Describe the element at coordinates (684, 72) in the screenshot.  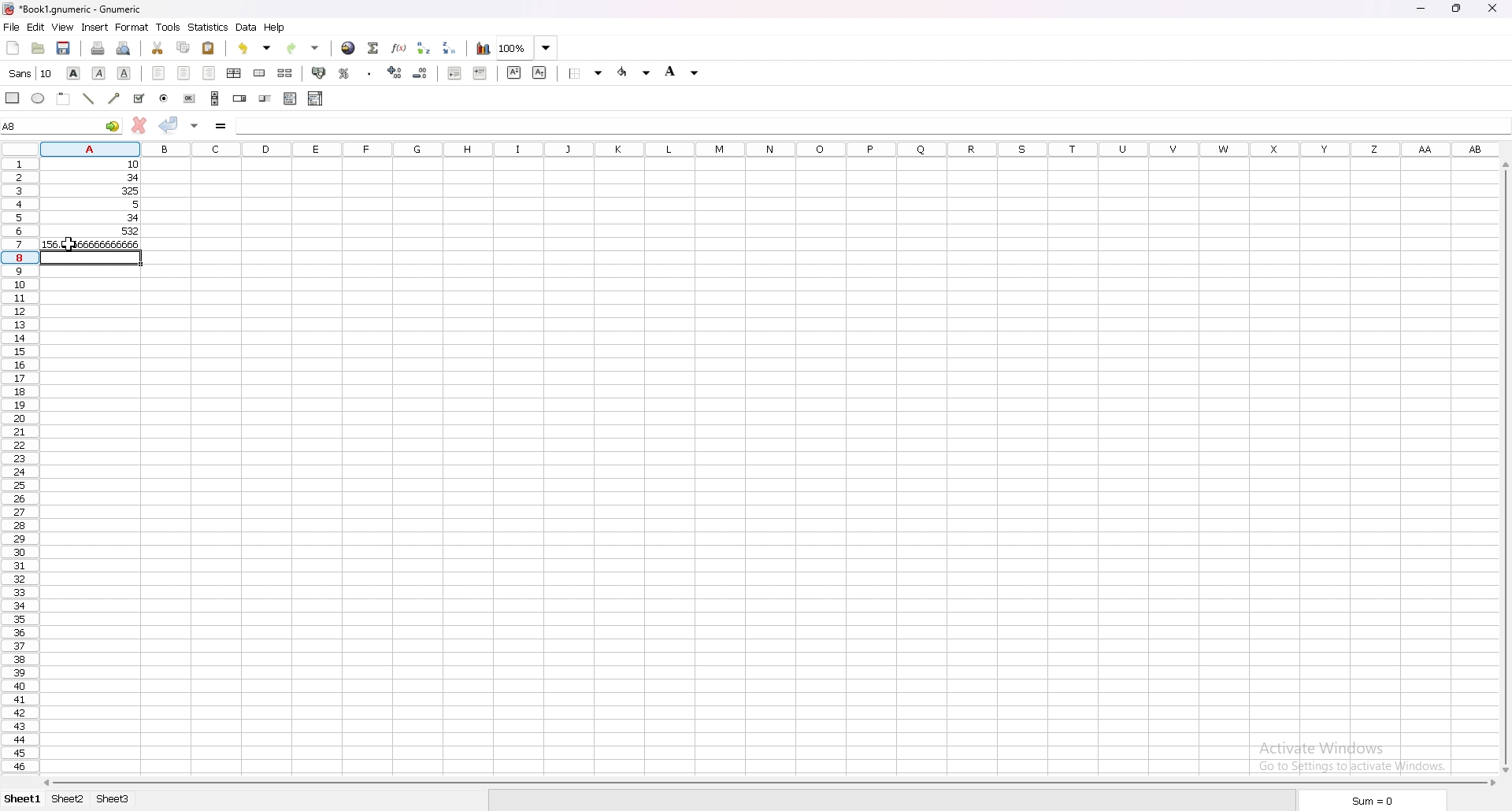
I see `background` at that location.